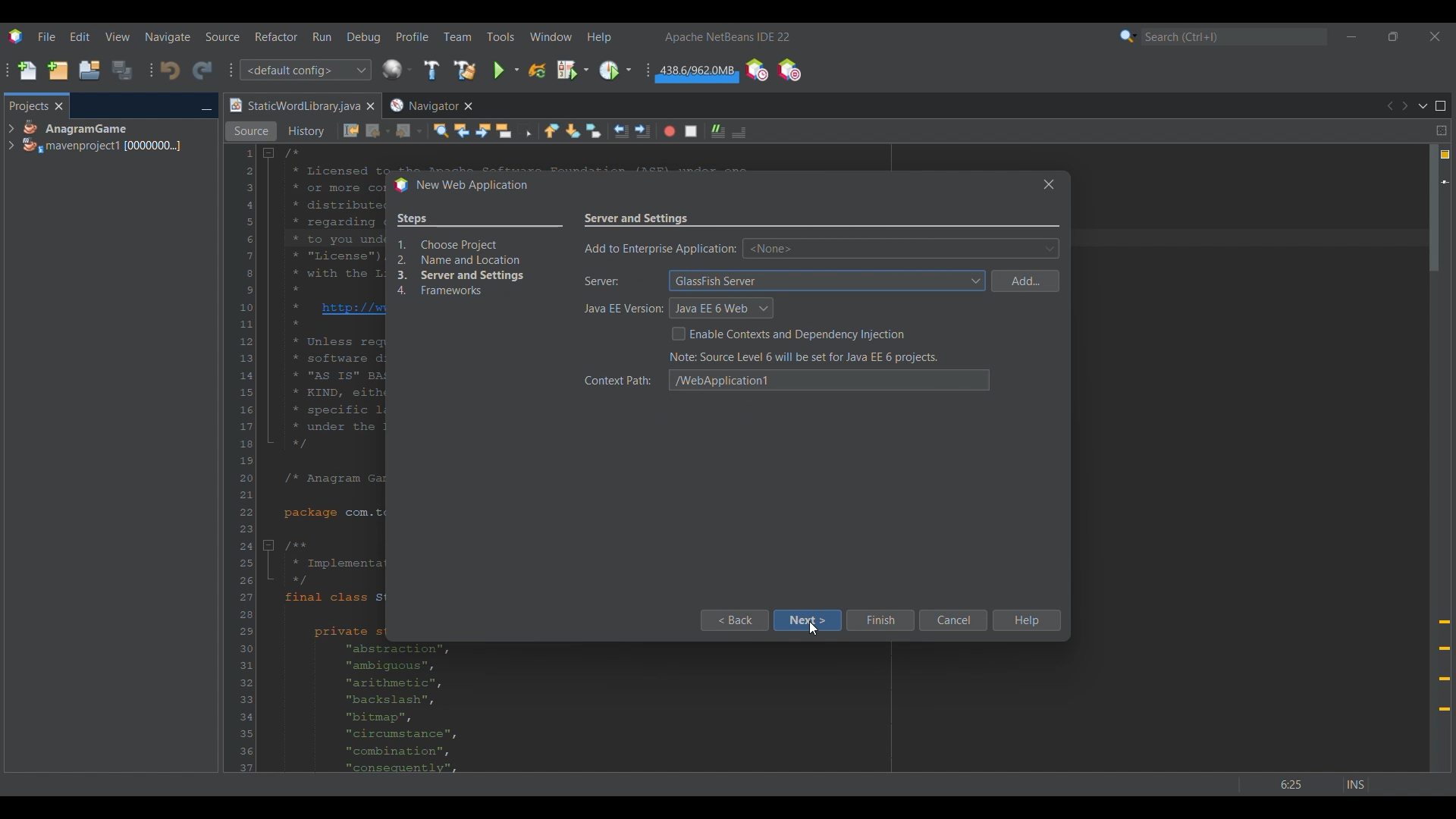 The width and height of the screenshot is (1456, 819). What do you see at coordinates (28, 105) in the screenshot?
I see `Projects, current tab highlighted` at bounding box center [28, 105].